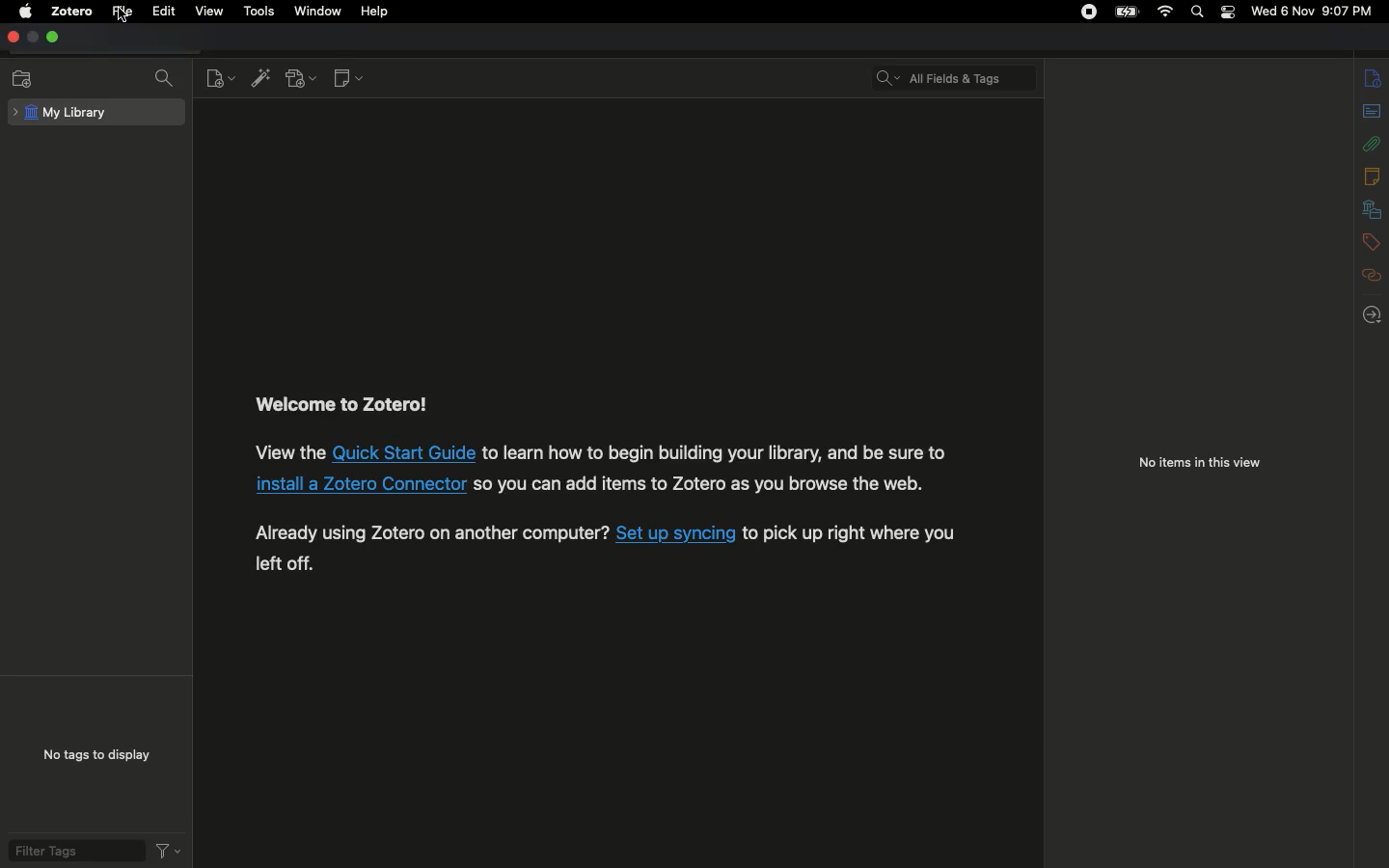  I want to click on New collection, so click(23, 79).